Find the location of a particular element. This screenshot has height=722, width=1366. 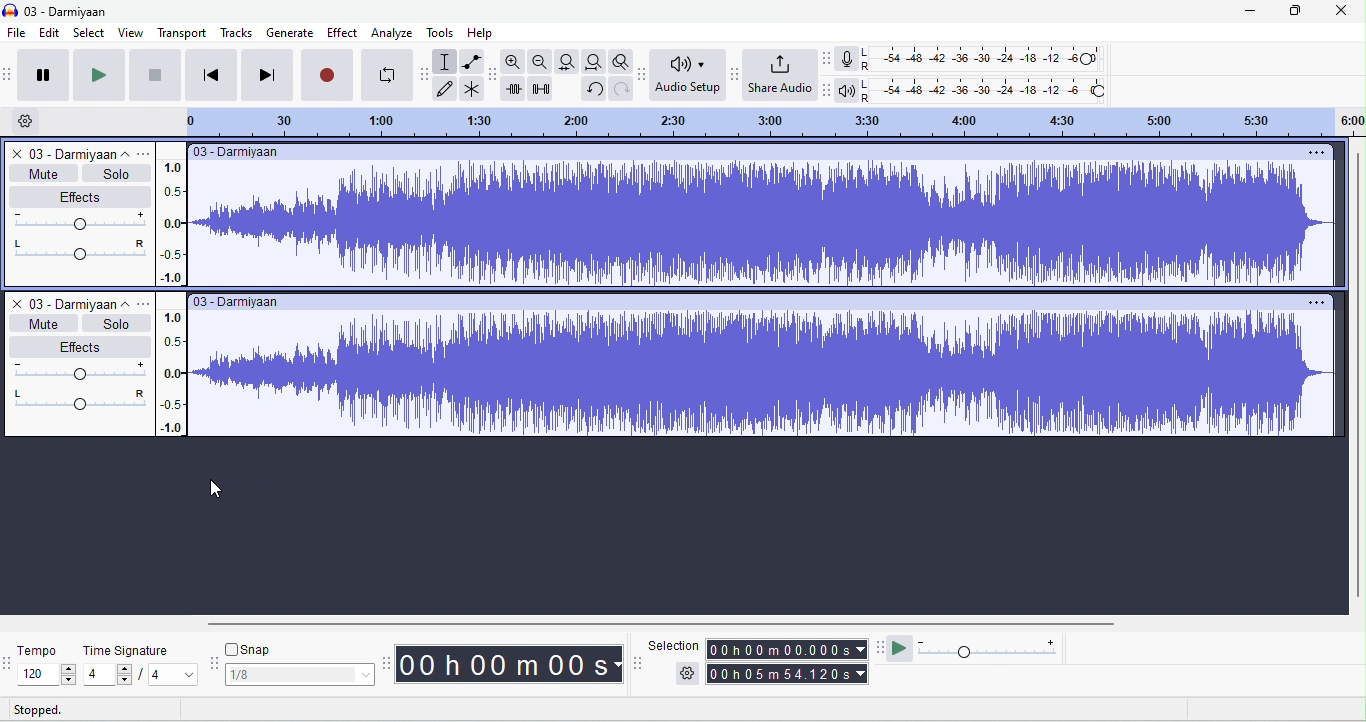

recoding level is located at coordinates (984, 59).